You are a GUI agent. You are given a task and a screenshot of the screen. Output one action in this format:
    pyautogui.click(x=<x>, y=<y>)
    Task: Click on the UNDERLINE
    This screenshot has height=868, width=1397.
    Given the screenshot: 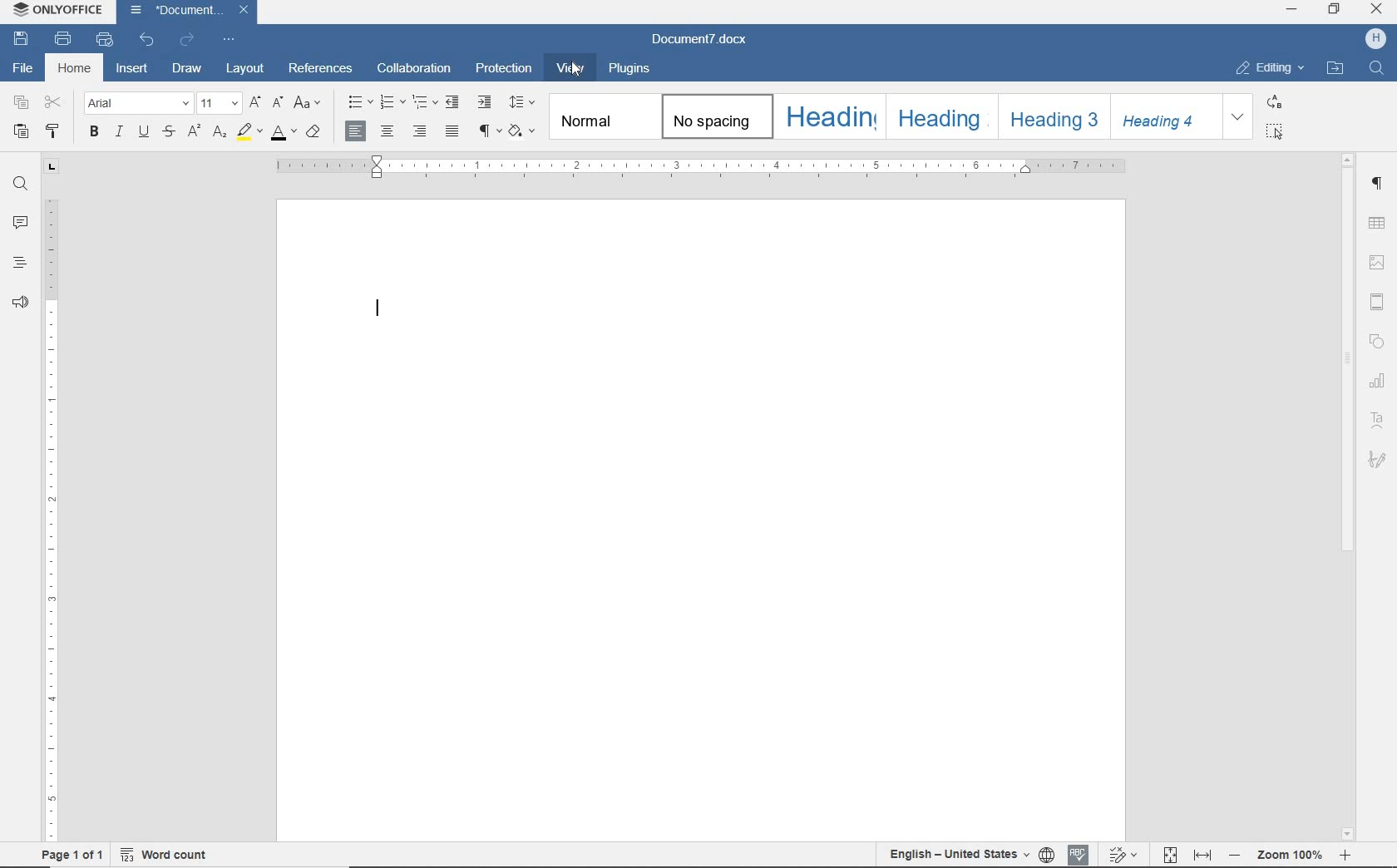 What is the action you would take?
    pyautogui.click(x=141, y=133)
    